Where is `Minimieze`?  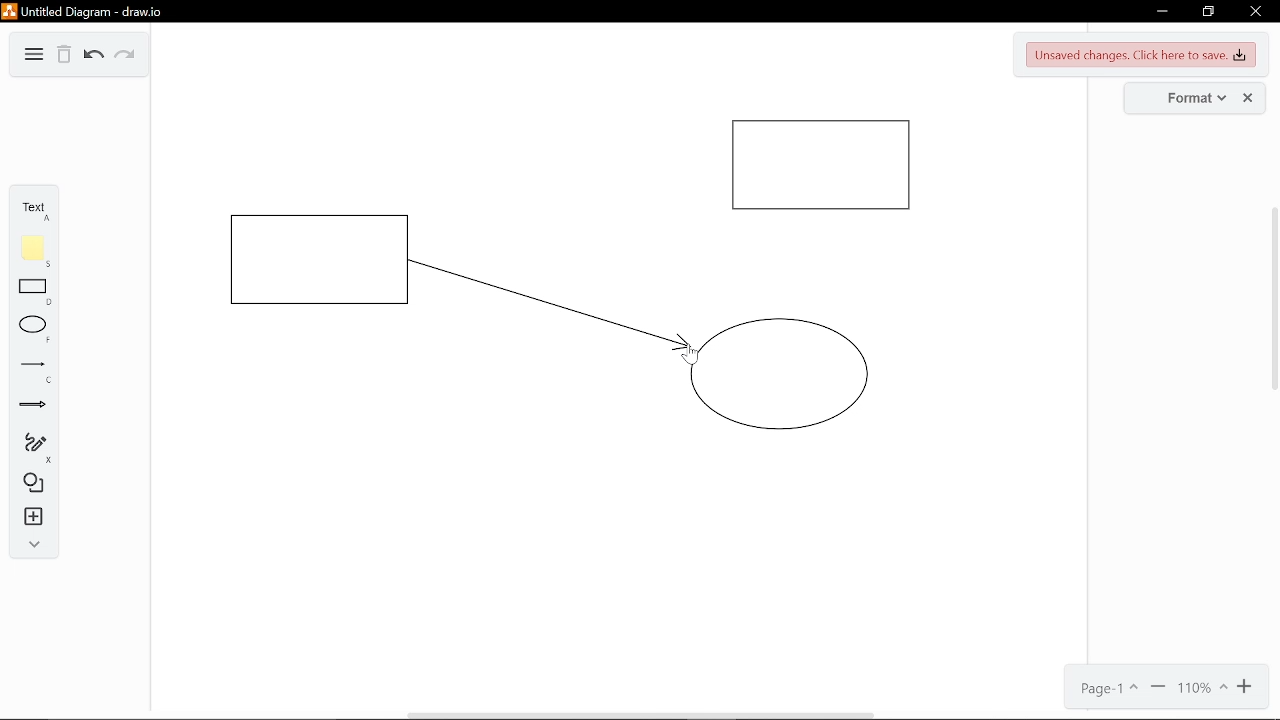
Minimieze is located at coordinates (1161, 12).